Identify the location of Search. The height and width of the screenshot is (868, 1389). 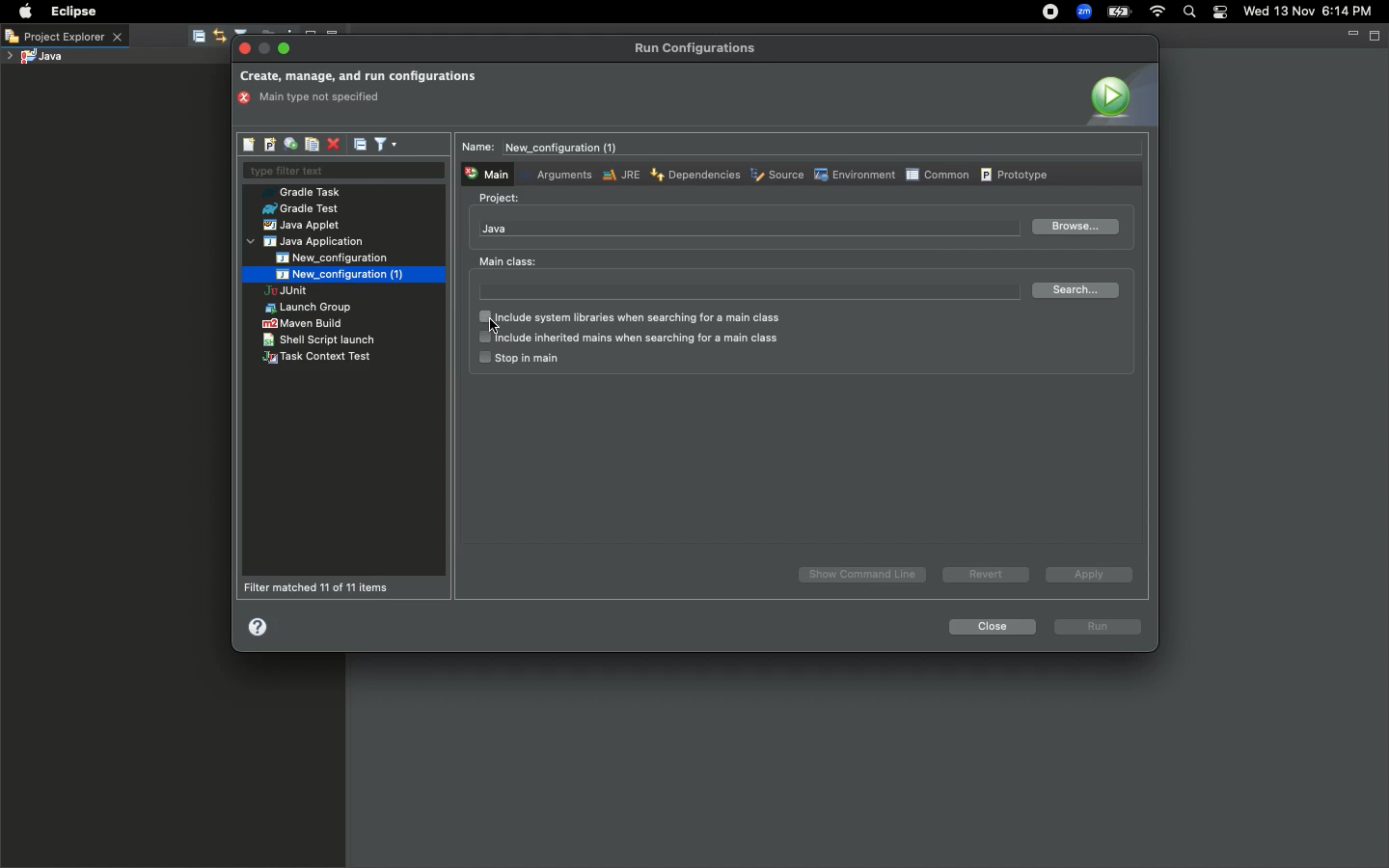
(1188, 14).